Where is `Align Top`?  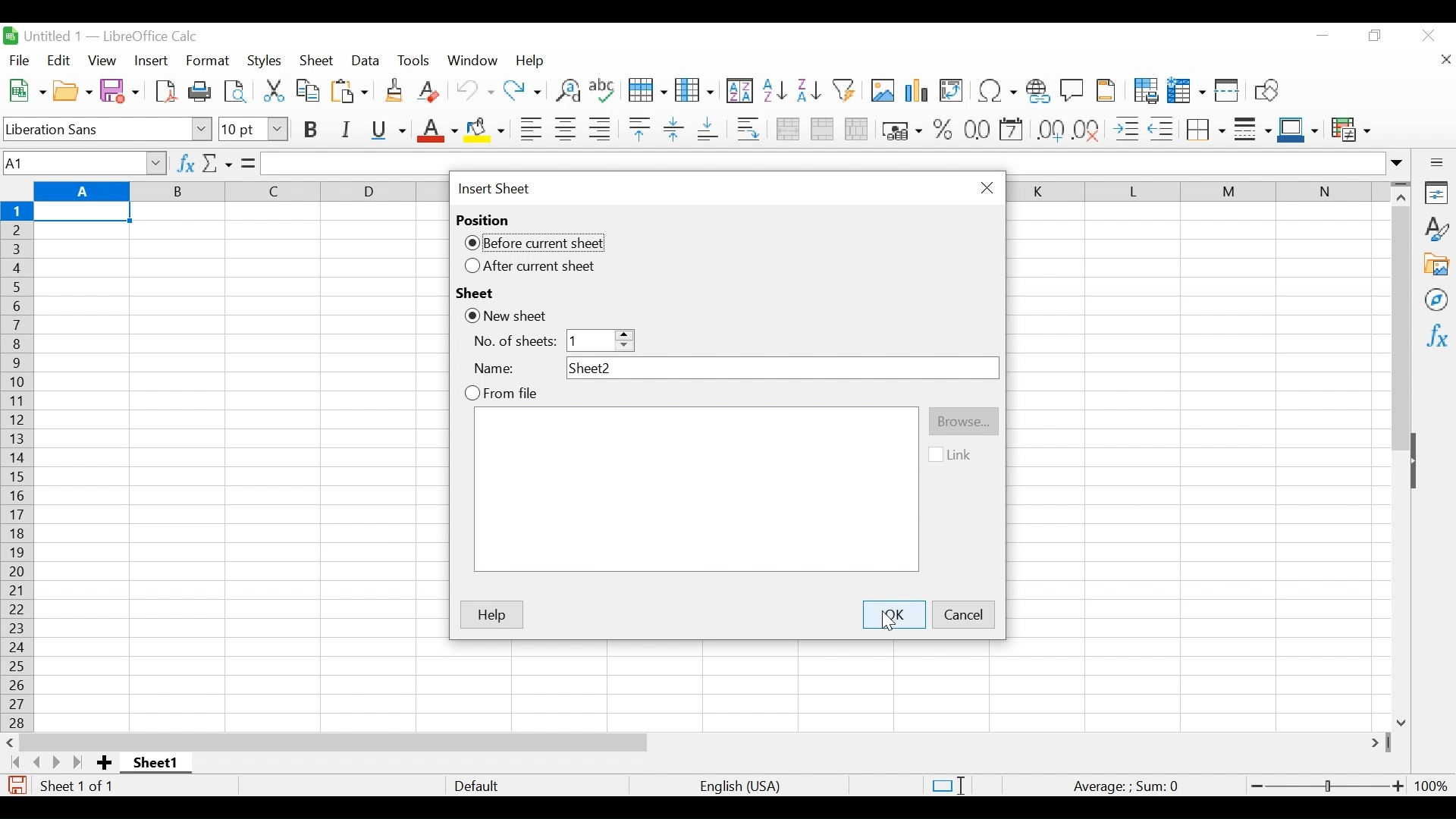
Align Top is located at coordinates (639, 129).